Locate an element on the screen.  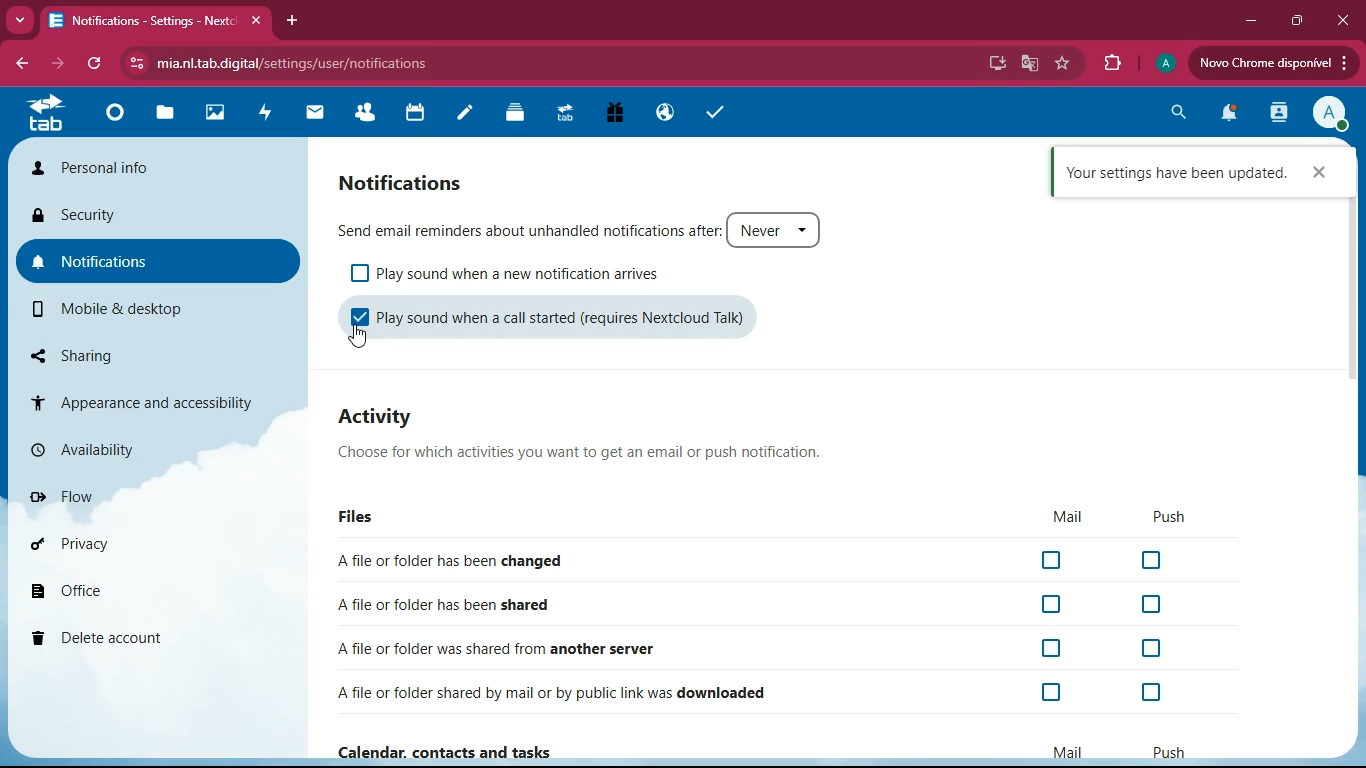
home is located at coordinates (113, 120).